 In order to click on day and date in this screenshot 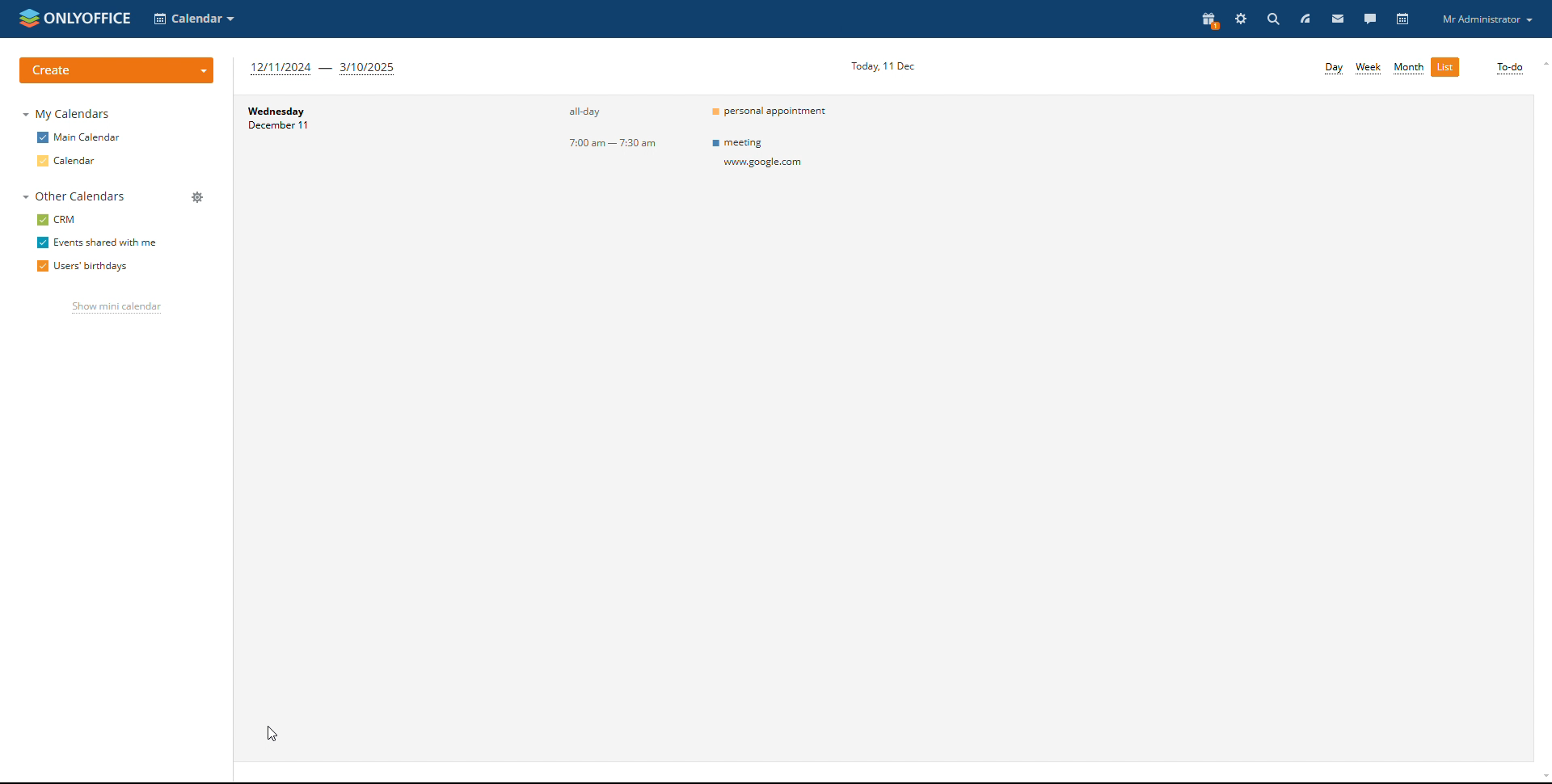, I will do `click(359, 140)`.